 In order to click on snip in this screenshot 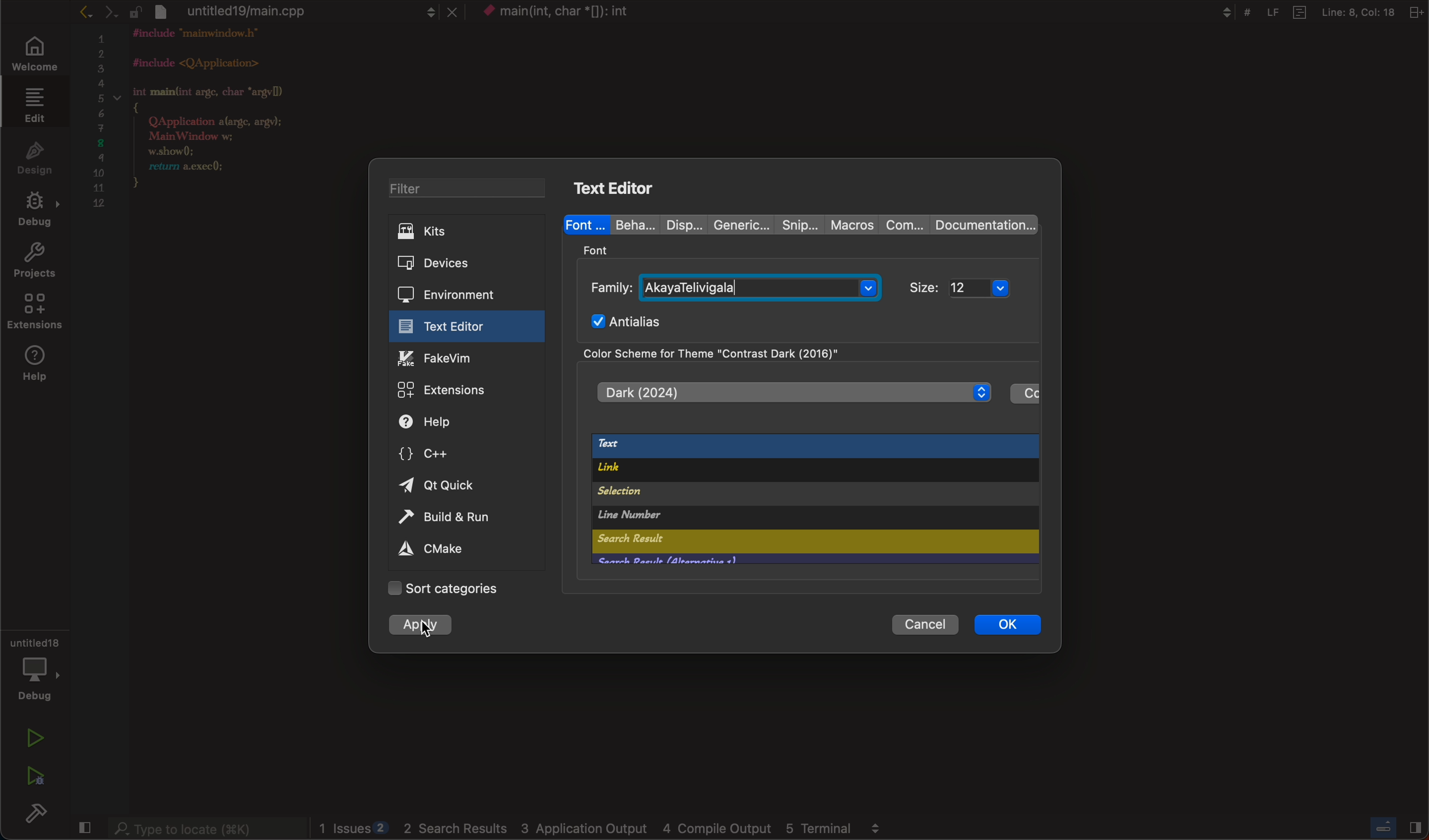, I will do `click(797, 223)`.